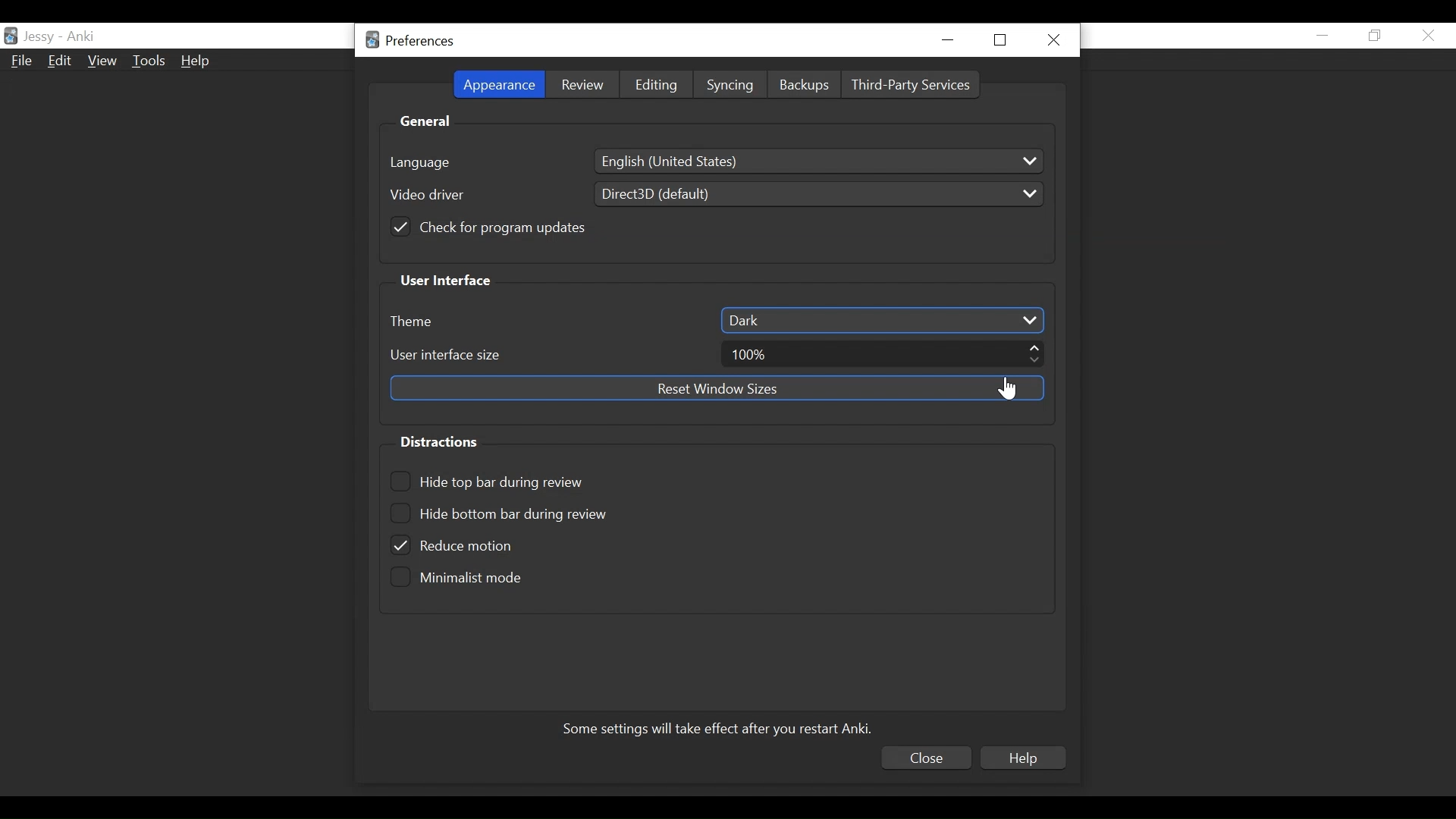 This screenshot has width=1456, height=819. I want to click on Distractions, so click(439, 441).